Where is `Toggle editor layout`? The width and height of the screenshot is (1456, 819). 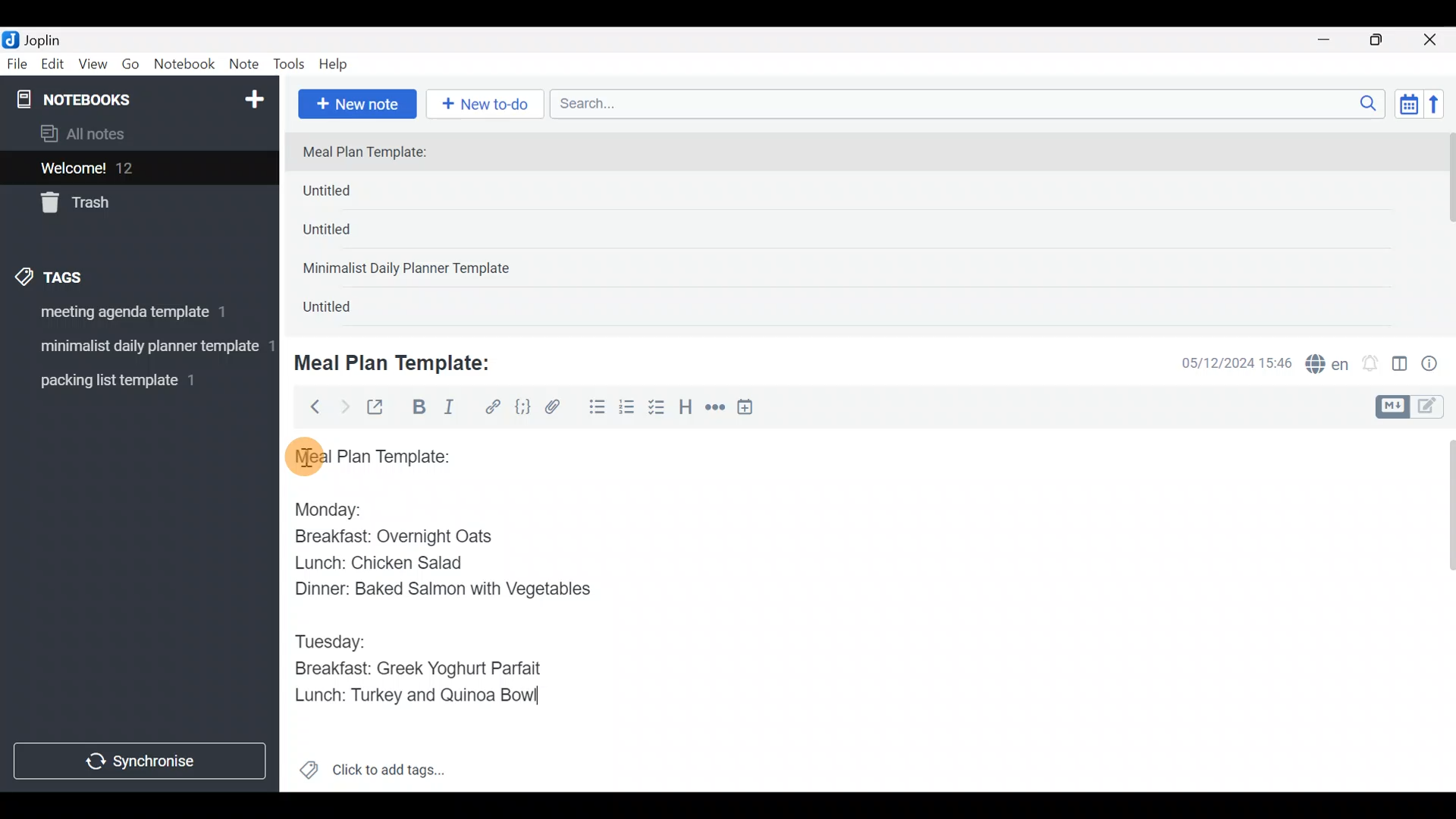 Toggle editor layout is located at coordinates (1401, 366).